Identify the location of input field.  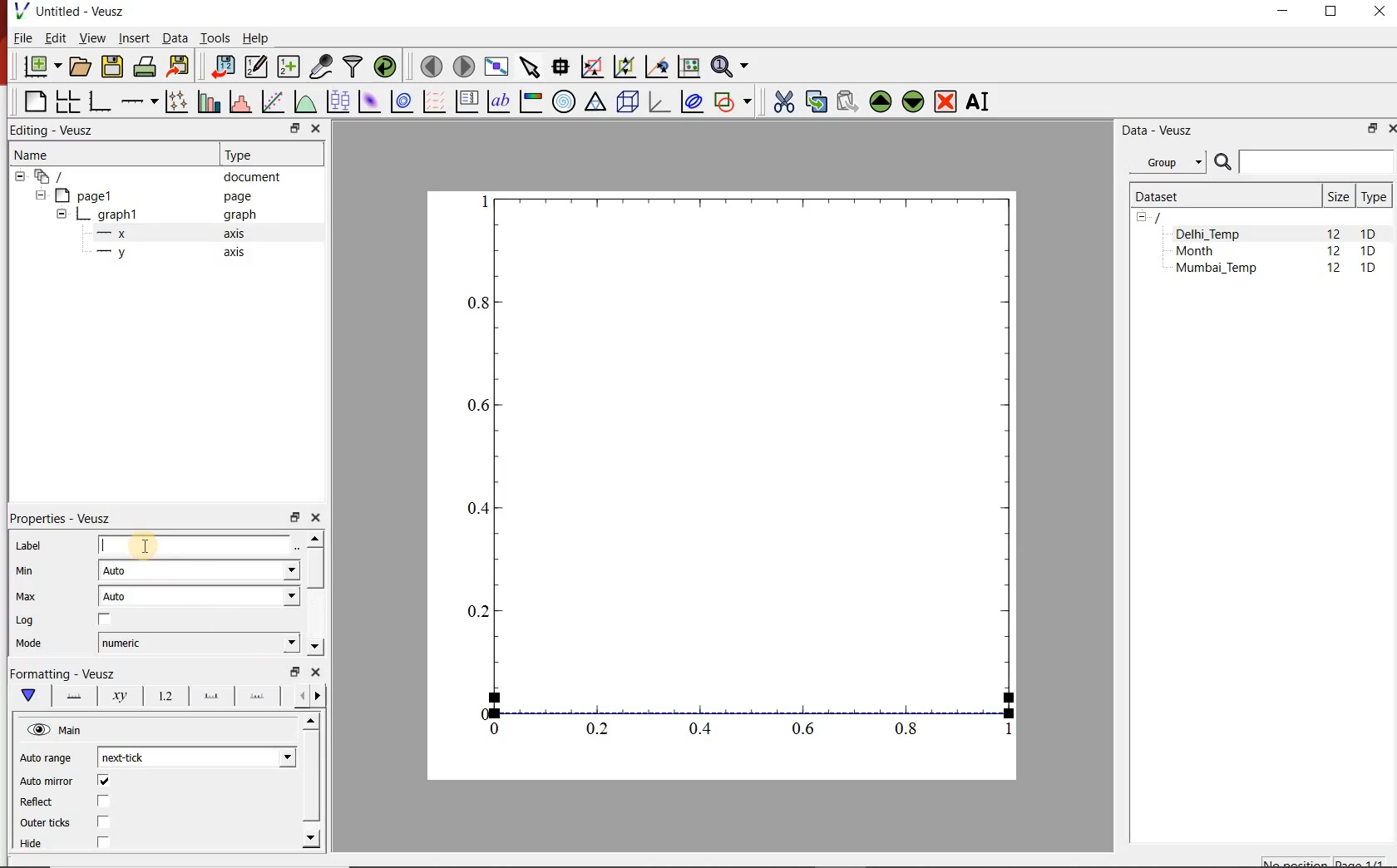
(200, 546).